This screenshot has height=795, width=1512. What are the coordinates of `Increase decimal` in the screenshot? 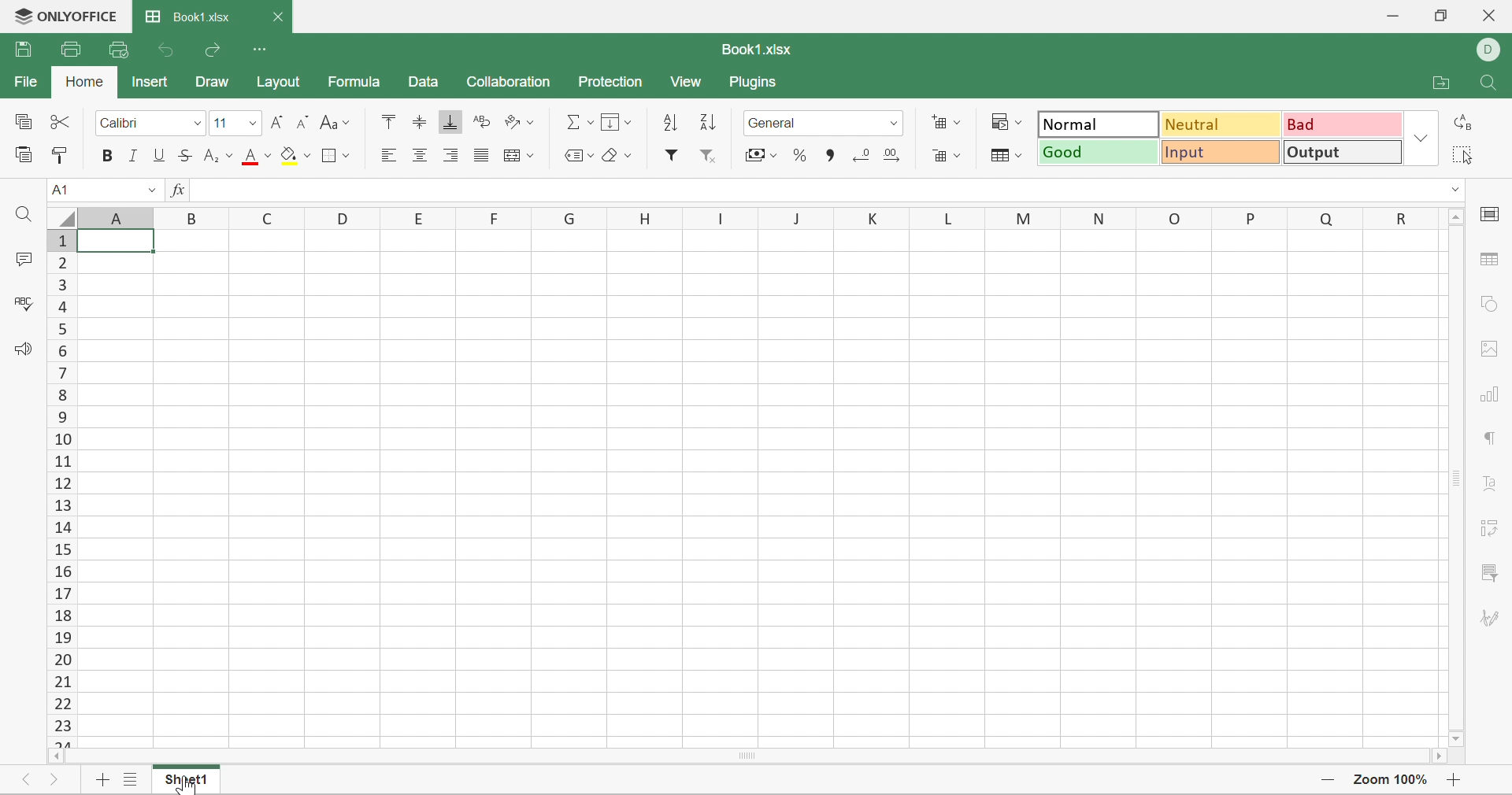 It's located at (891, 154).